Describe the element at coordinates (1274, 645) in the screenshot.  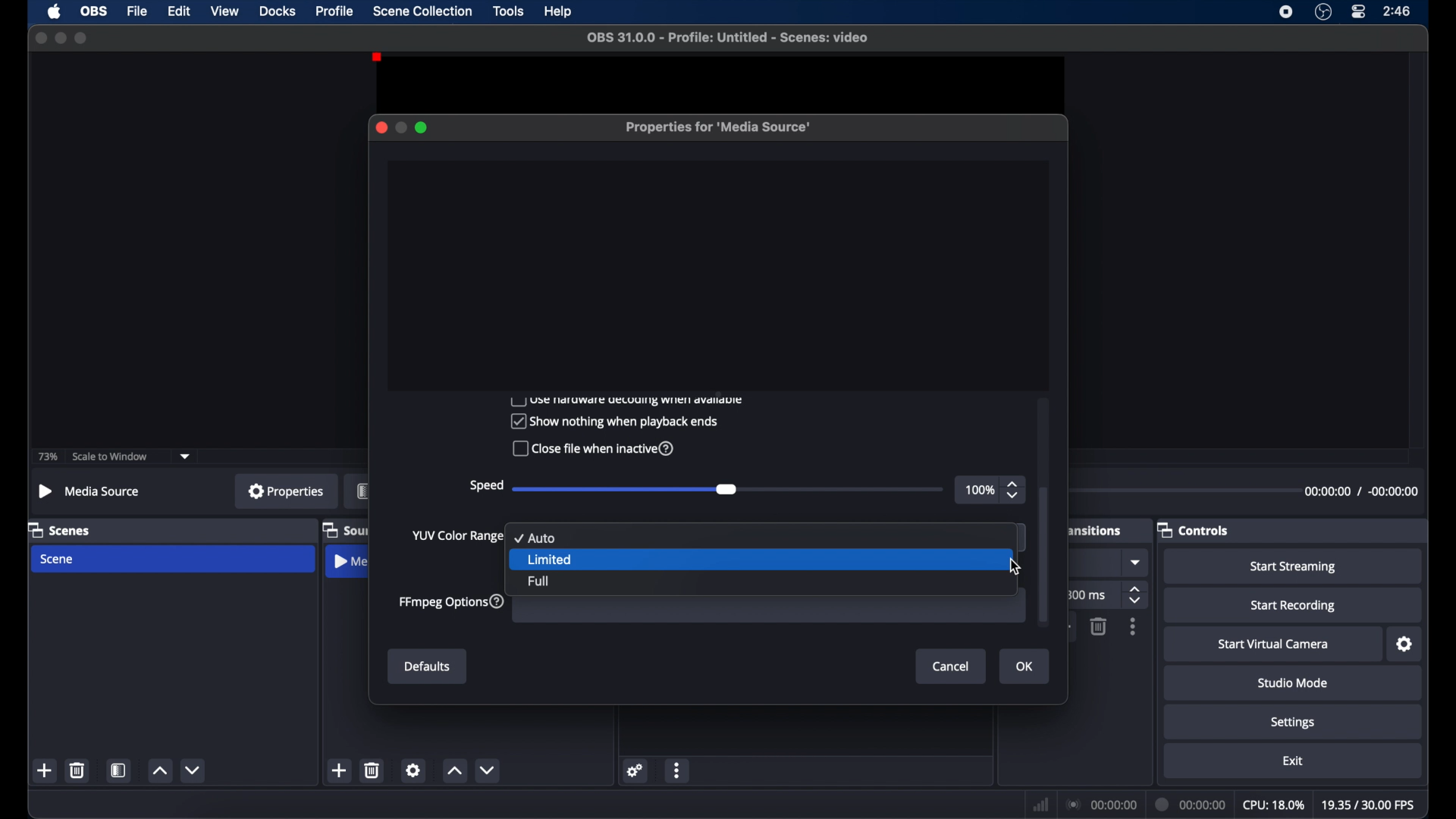
I see `start virtual camera` at that location.